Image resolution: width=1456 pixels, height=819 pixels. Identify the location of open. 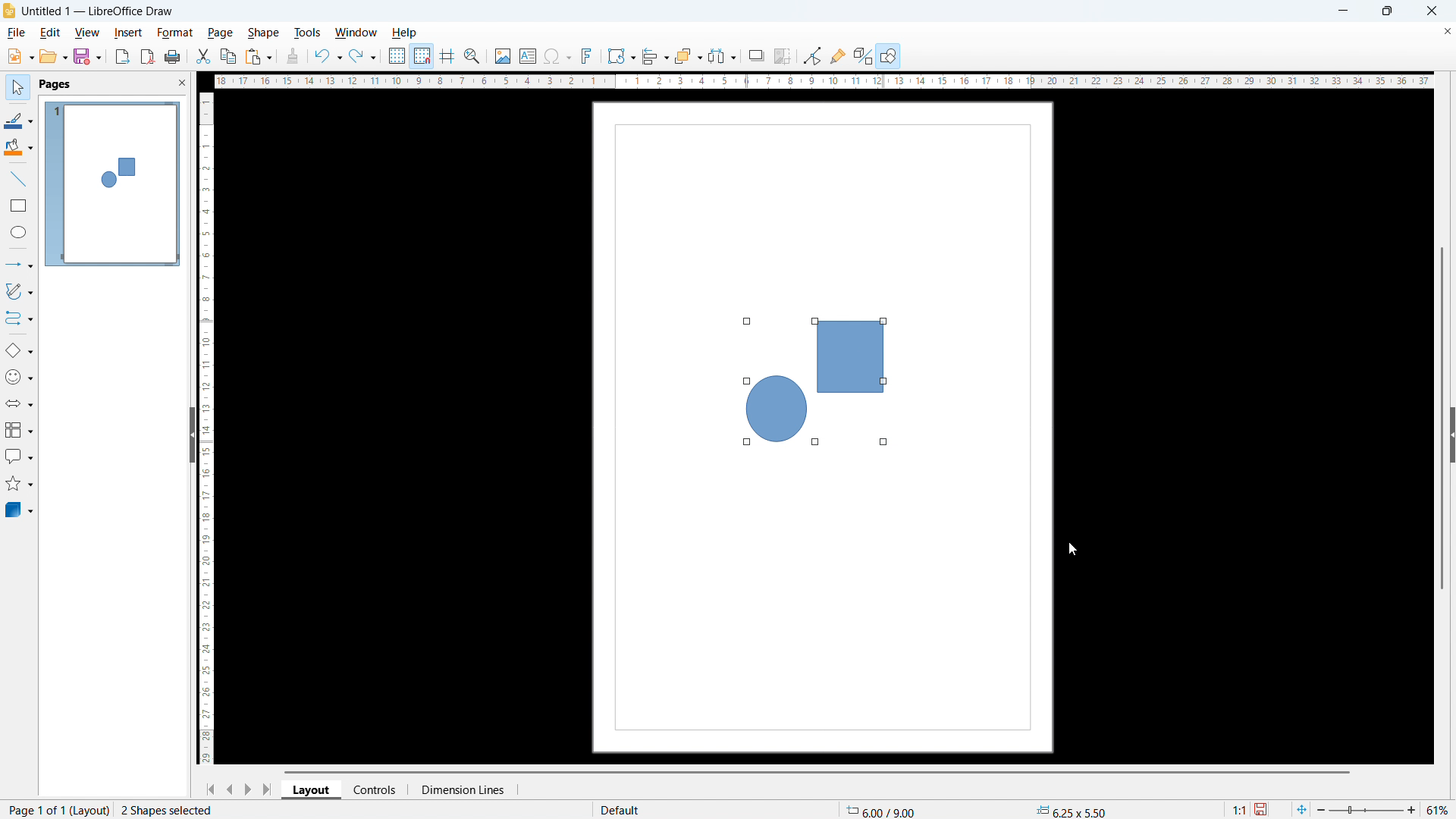
(53, 57).